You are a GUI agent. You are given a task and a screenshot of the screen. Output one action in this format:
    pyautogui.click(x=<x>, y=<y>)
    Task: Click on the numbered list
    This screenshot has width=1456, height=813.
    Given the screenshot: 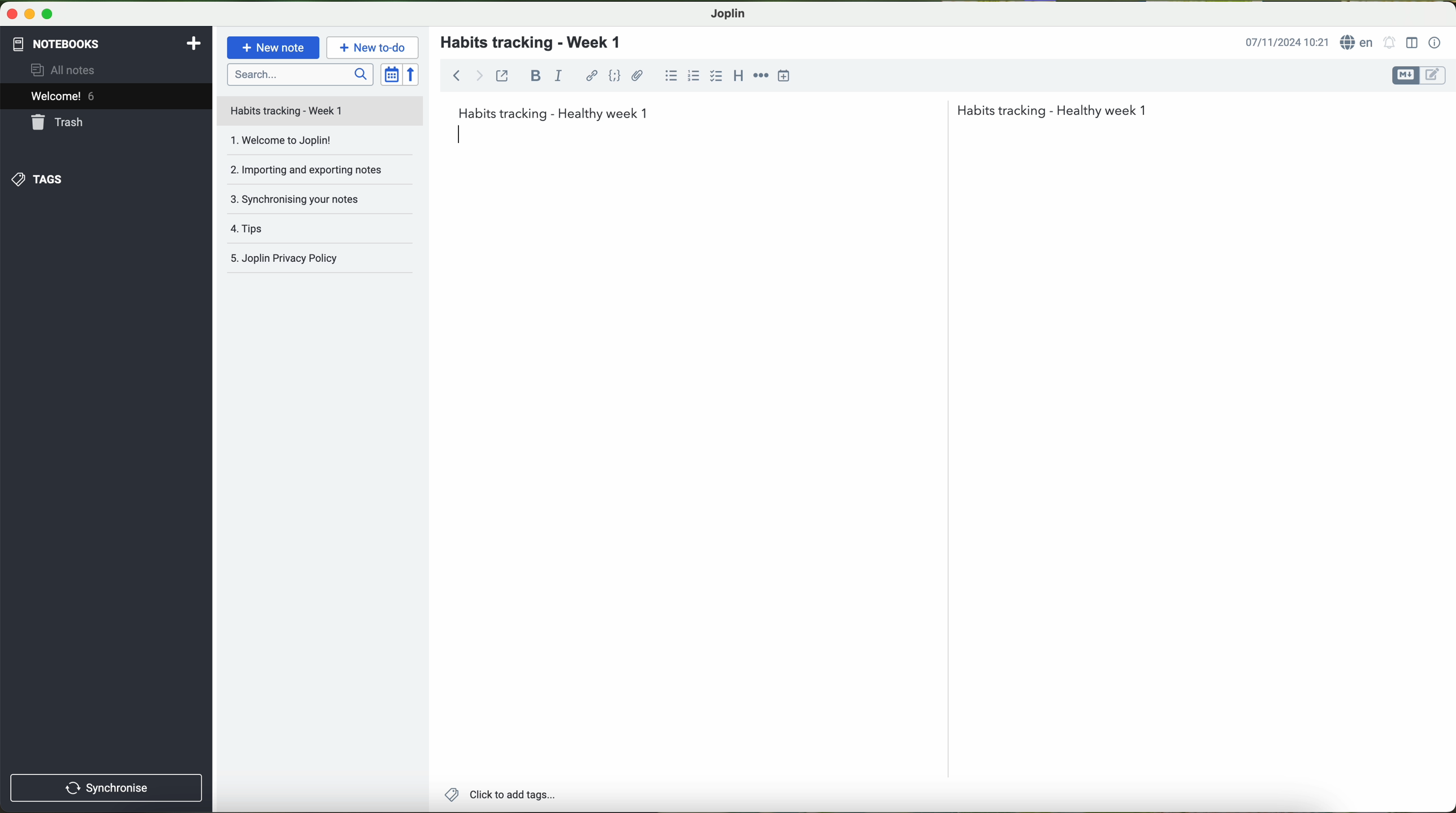 What is the action you would take?
    pyautogui.click(x=695, y=75)
    